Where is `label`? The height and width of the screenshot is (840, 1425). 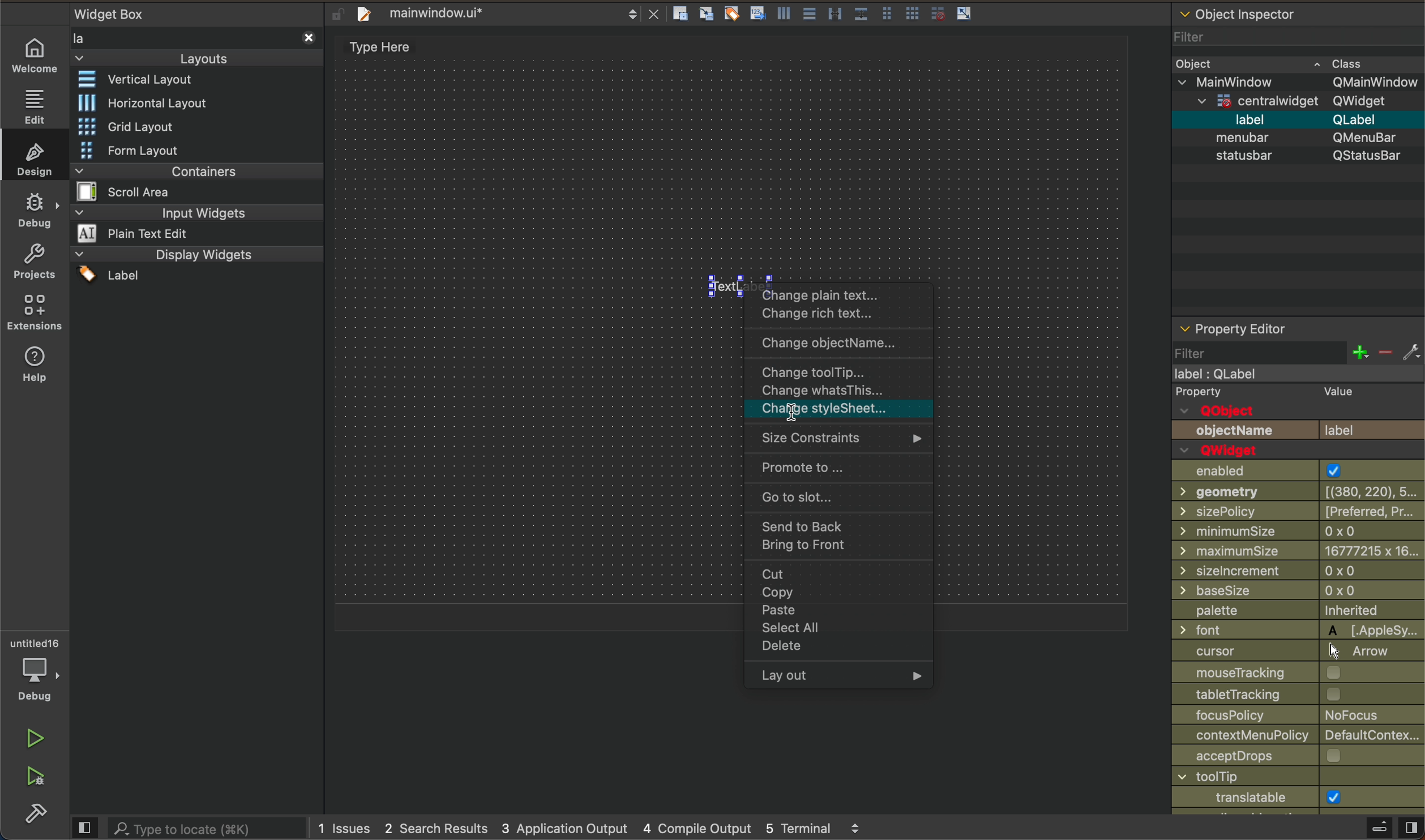
label is located at coordinates (1298, 119).